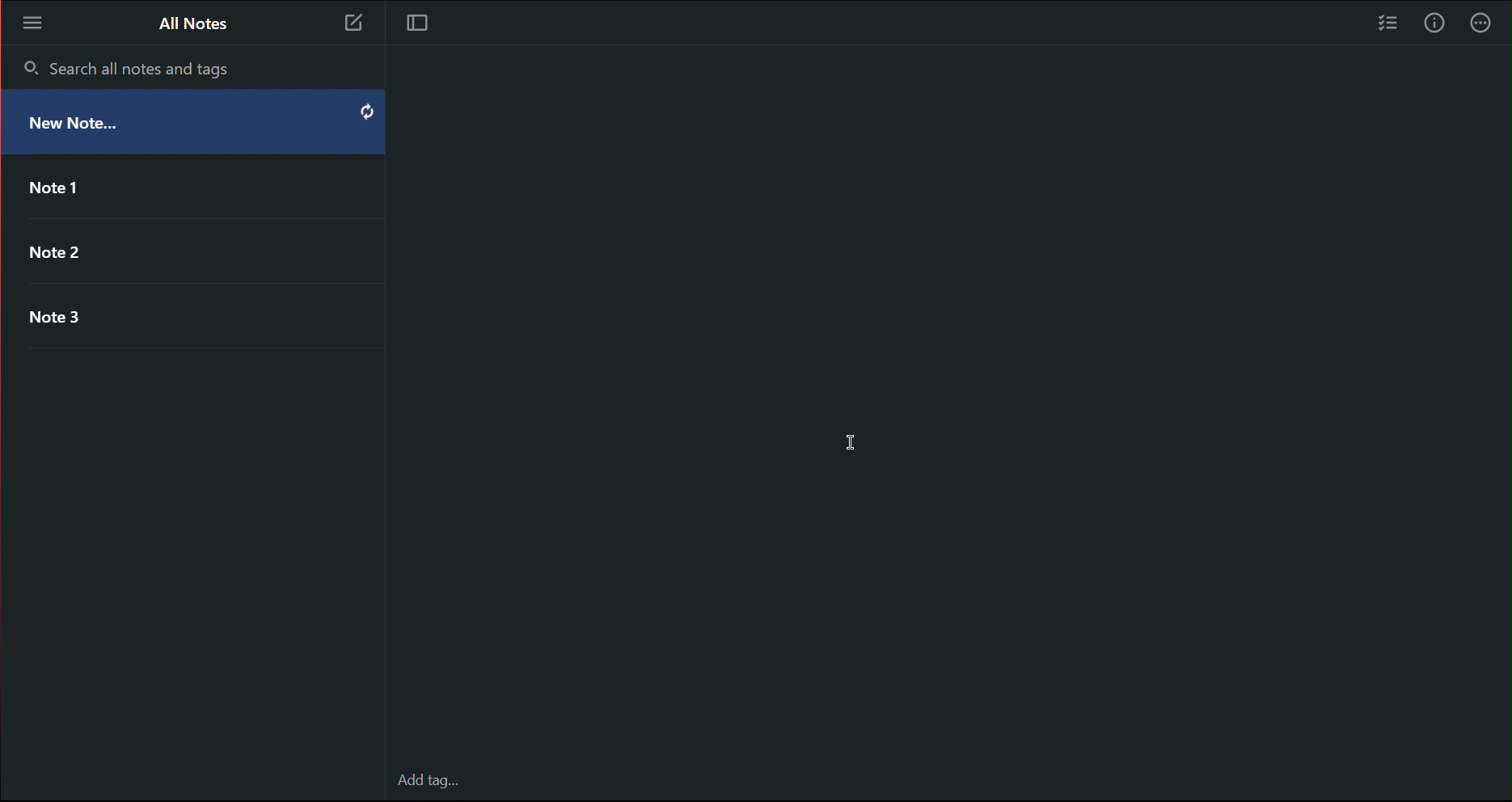 The image size is (1512, 802). I want to click on Info, so click(1435, 23).